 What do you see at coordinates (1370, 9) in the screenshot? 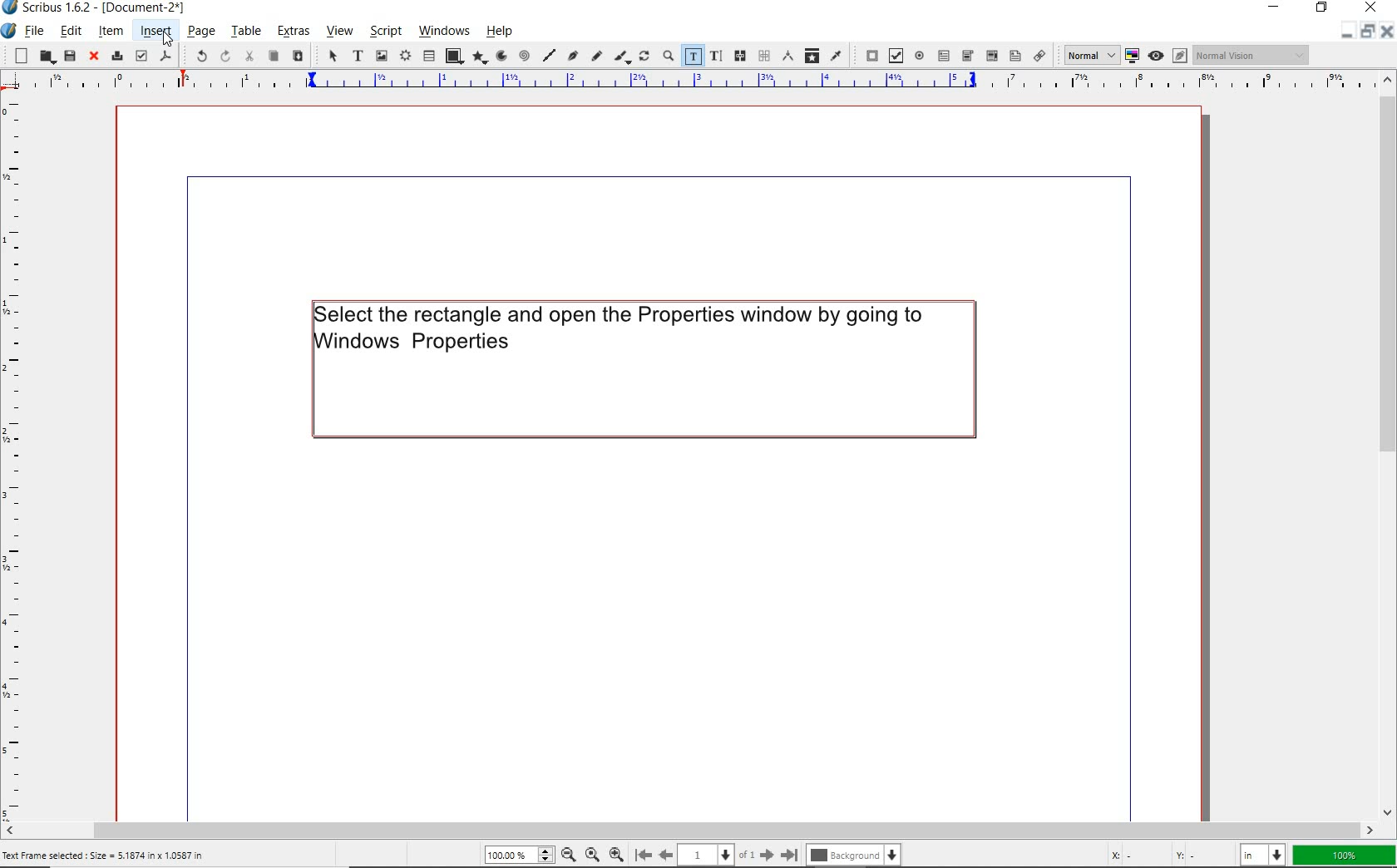
I see `close` at bounding box center [1370, 9].